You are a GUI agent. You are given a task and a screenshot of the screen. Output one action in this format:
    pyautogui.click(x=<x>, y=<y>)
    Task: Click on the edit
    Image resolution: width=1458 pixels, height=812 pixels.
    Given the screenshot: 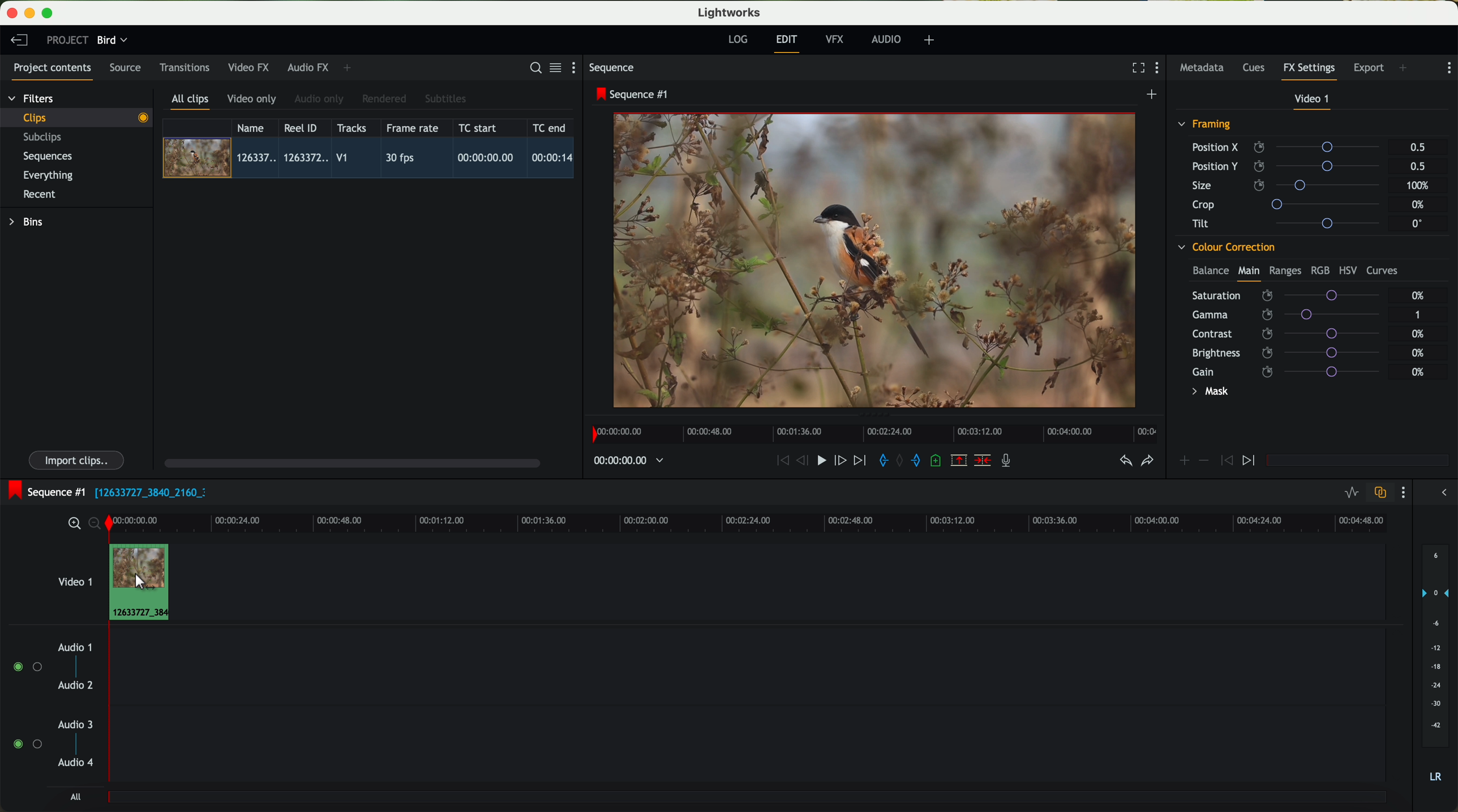 What is the action you would take?
    pyautogui.click(x=788, y=42)
    